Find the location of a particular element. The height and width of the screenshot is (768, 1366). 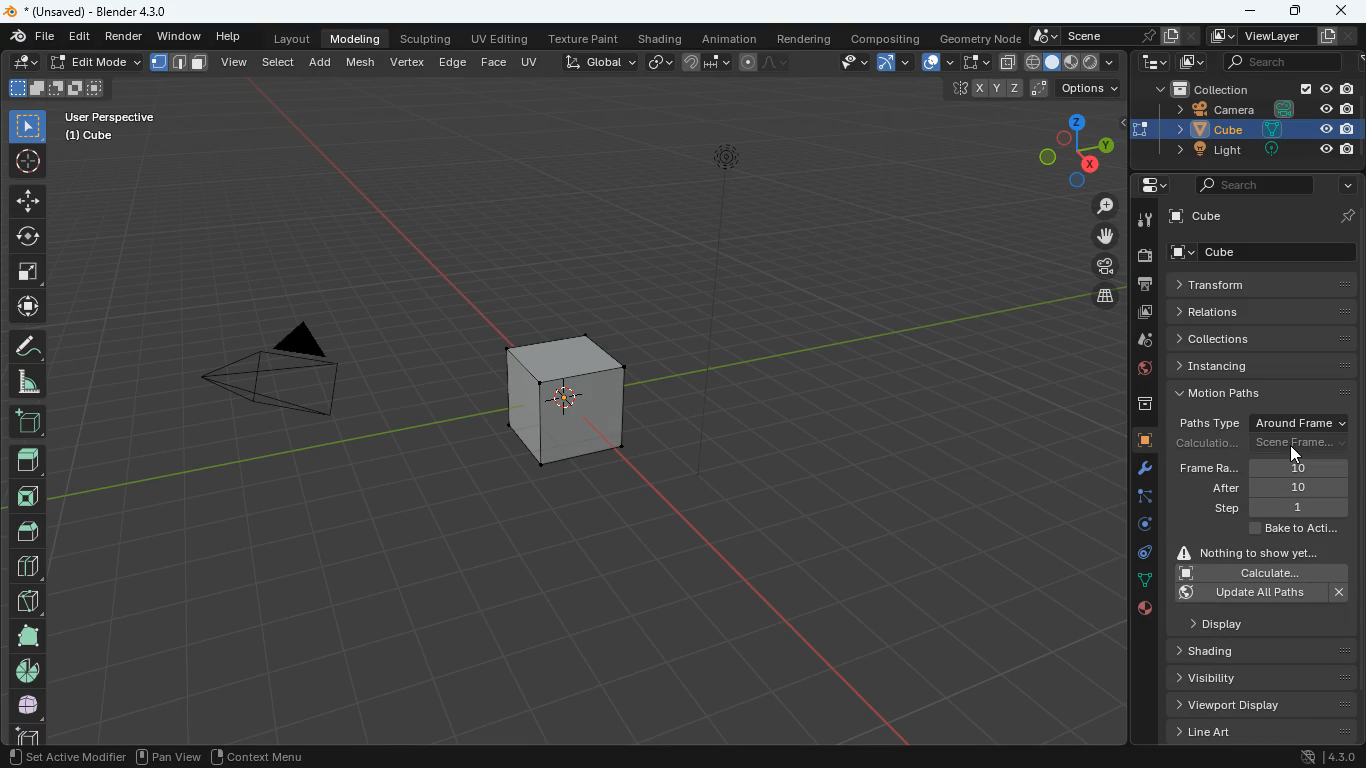

modifier is located at coordinates (1136, 471).